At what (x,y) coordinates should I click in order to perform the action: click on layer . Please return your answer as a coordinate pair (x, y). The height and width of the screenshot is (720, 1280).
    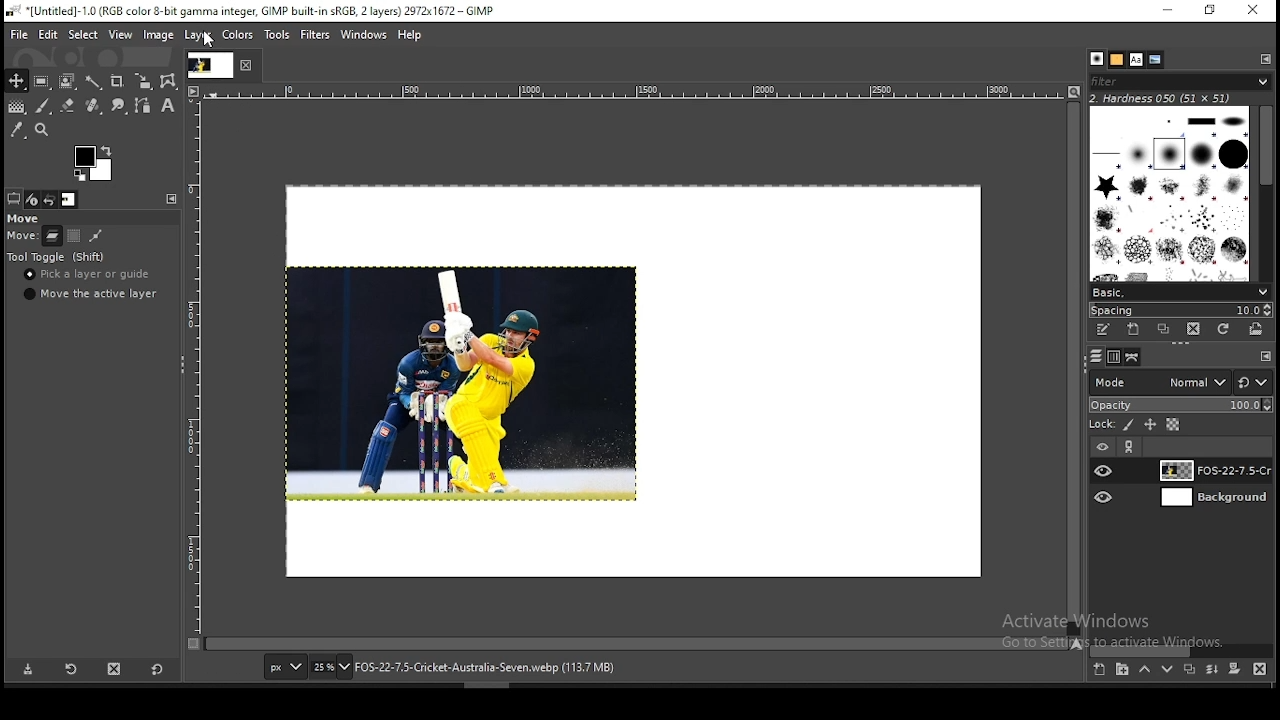
    Looking at the image, I should click on (1211, 470).